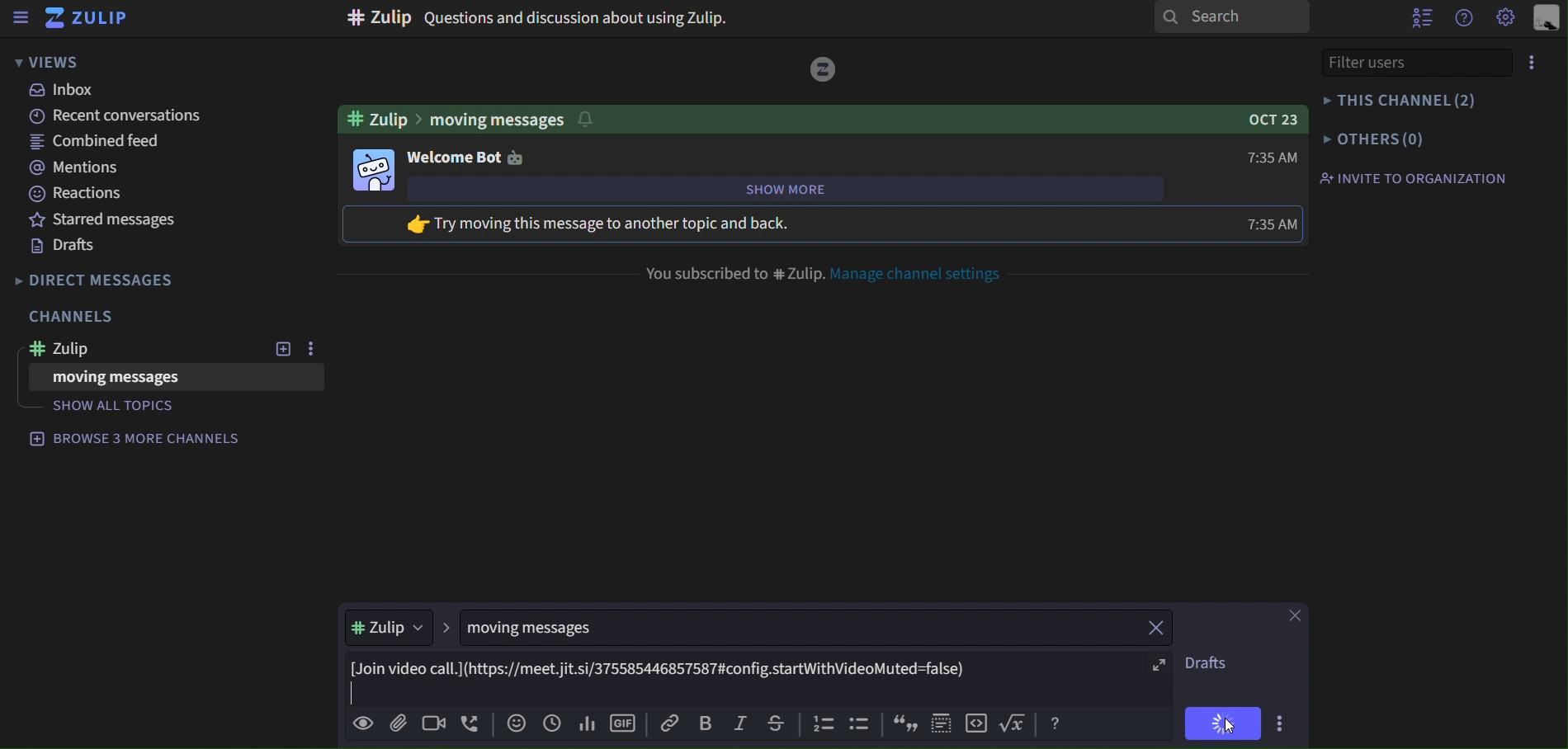 The height and width of the screenshot is (749, 1568). Describe the element at coordinates (95, 142) in the screenshot. I see `combined feed` at that location.